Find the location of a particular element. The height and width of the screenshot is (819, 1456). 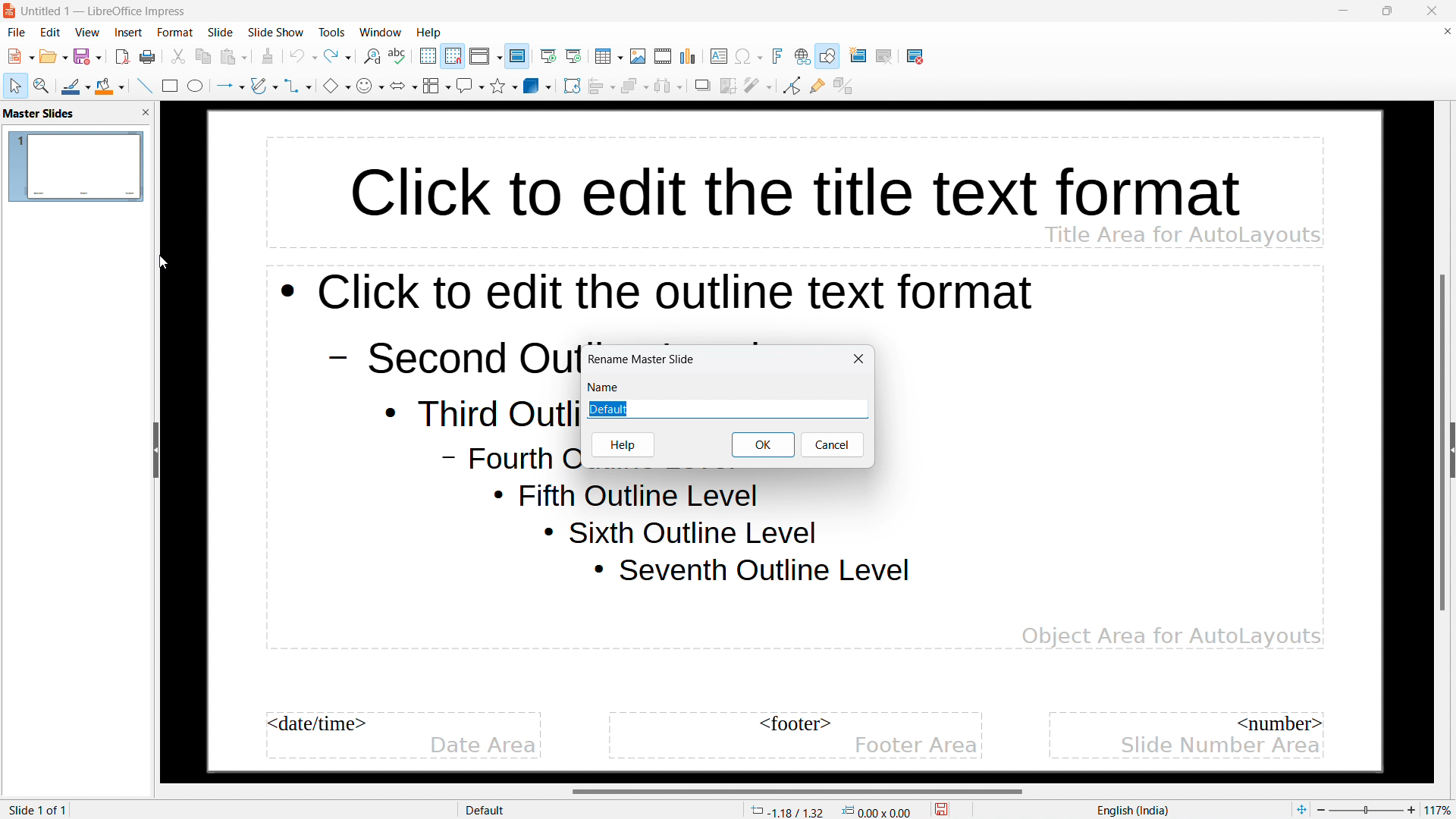

copy is located at coordinates (203, 57).